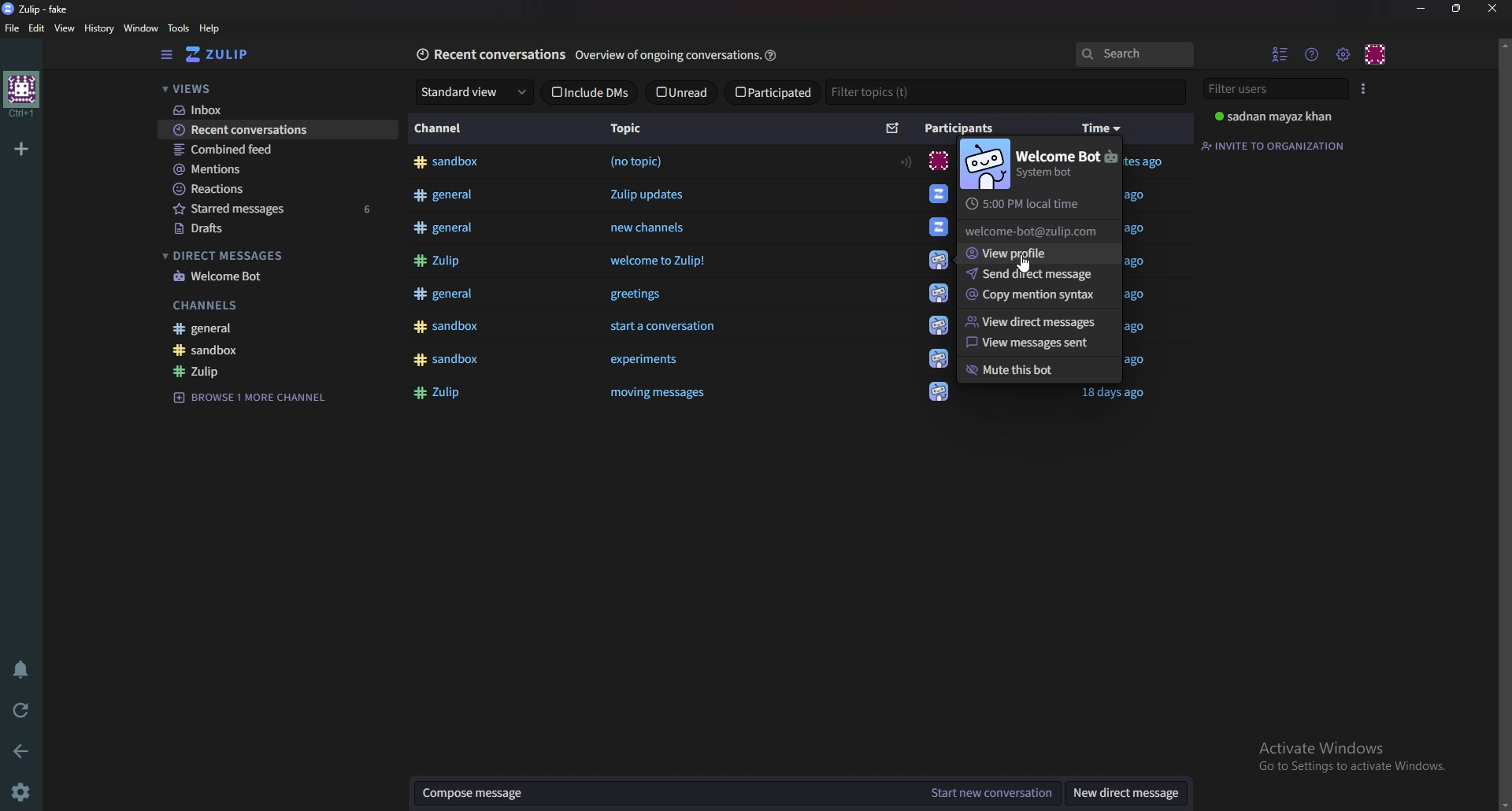 Image resolution: width=1512 pixels, height=811 pixels. I want to click on reactions, so click(275, 190).